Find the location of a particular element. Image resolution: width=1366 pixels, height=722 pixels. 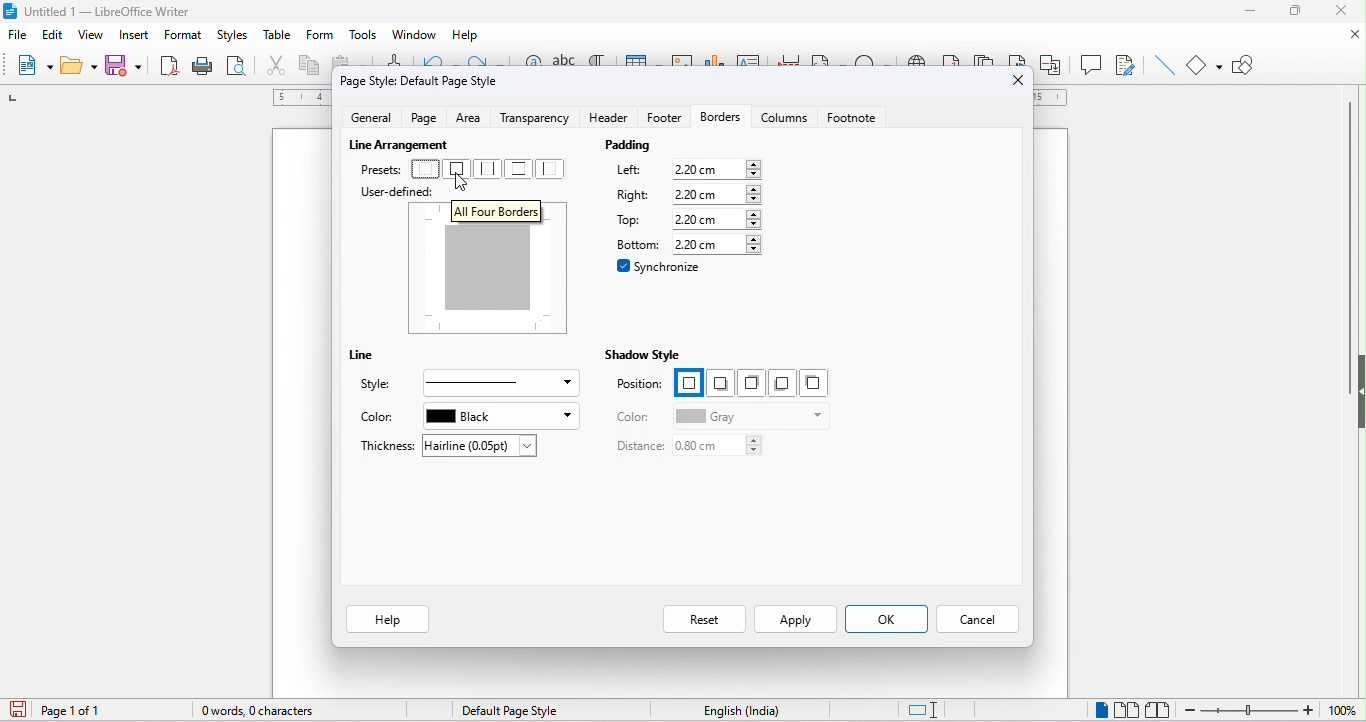

user defined is located at coordinates (413, 191).